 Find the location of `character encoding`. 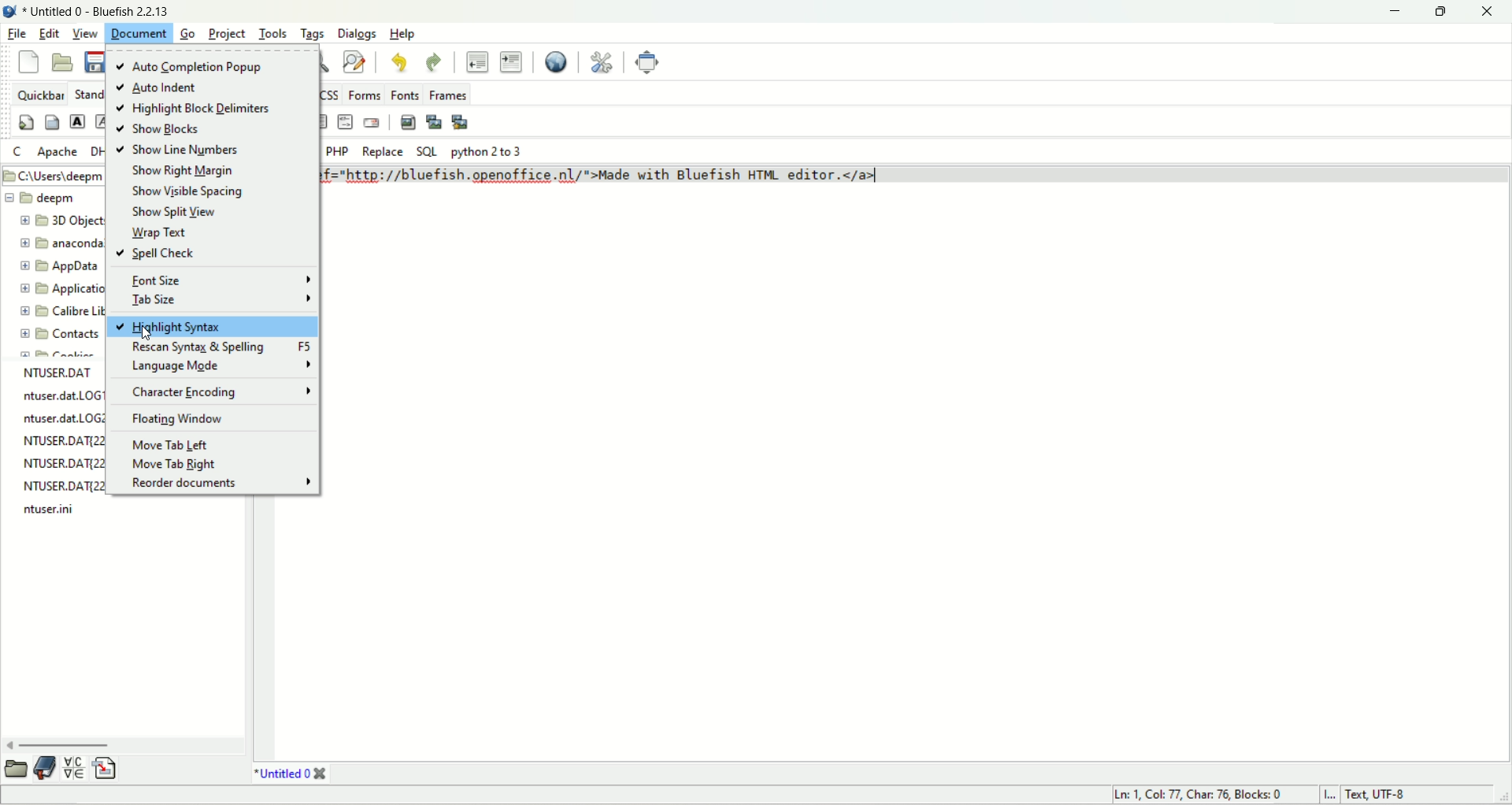

character encoding is located at coordinates (224, 391).